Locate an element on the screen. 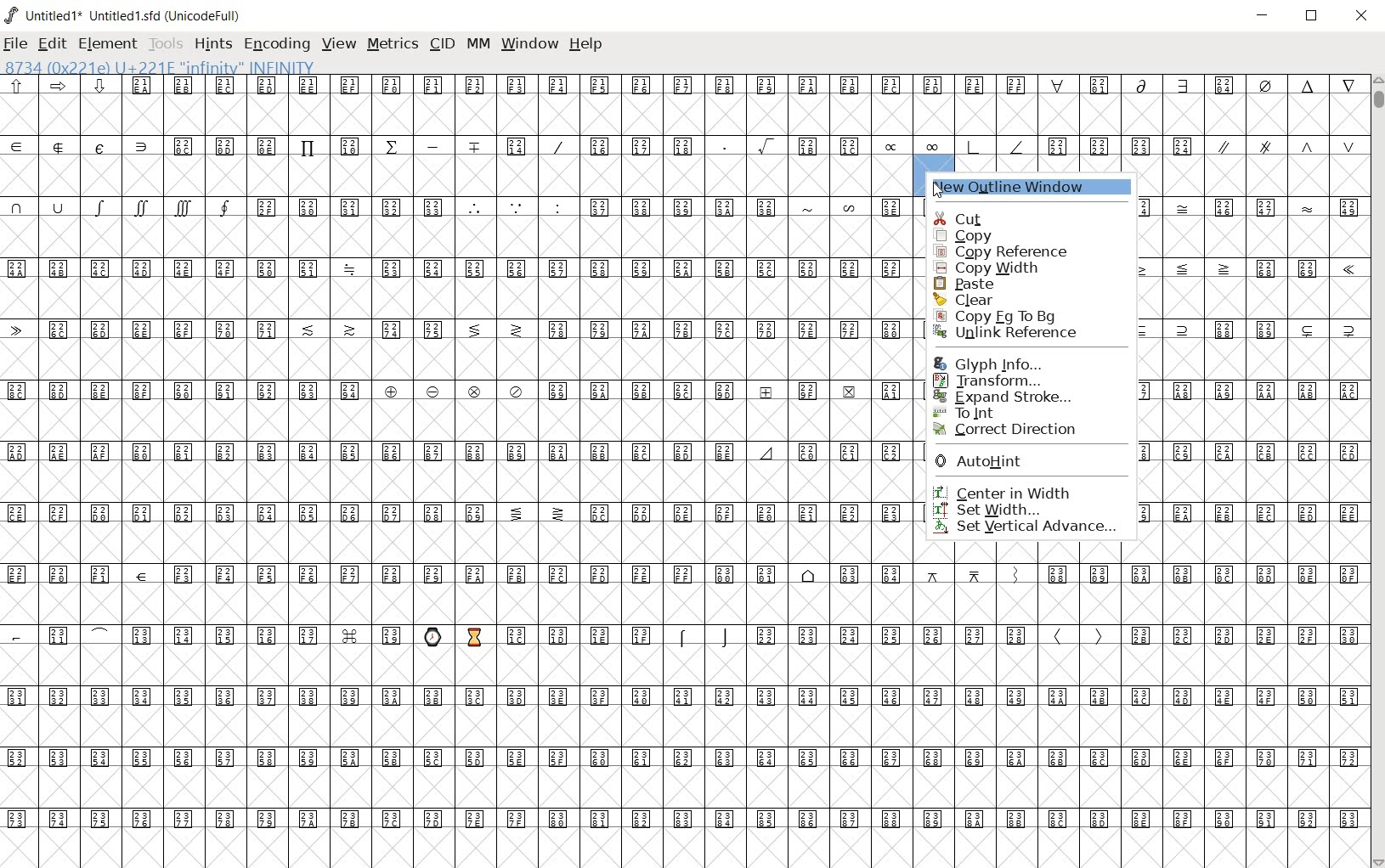 The width and height of the screenshot is (1385, 868). empty glyph slots is located at coordinates (461, 300).